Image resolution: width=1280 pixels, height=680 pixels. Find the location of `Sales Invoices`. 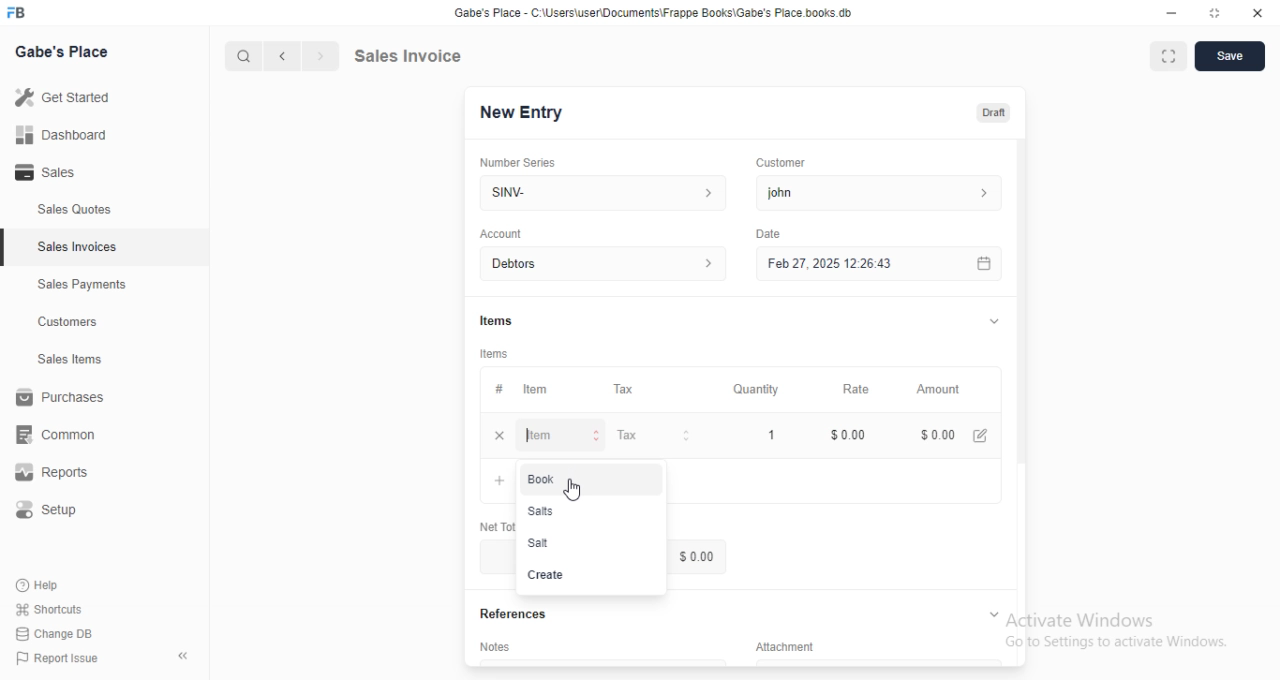

Sales Invoices is located at coordinates (80, 248).